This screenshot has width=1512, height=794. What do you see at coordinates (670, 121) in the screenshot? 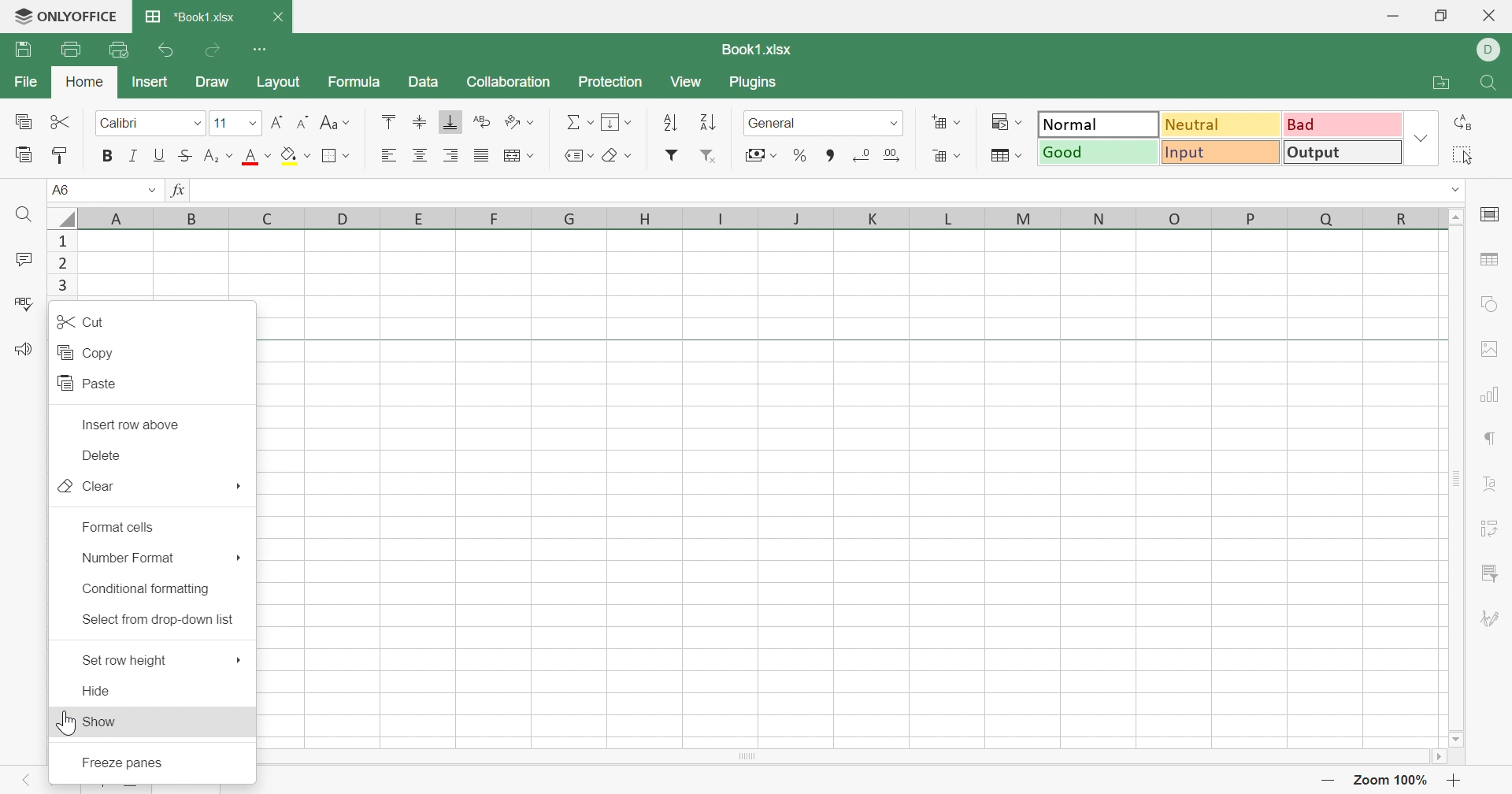
I see `Ascending order` at bounding box center [670, 121].